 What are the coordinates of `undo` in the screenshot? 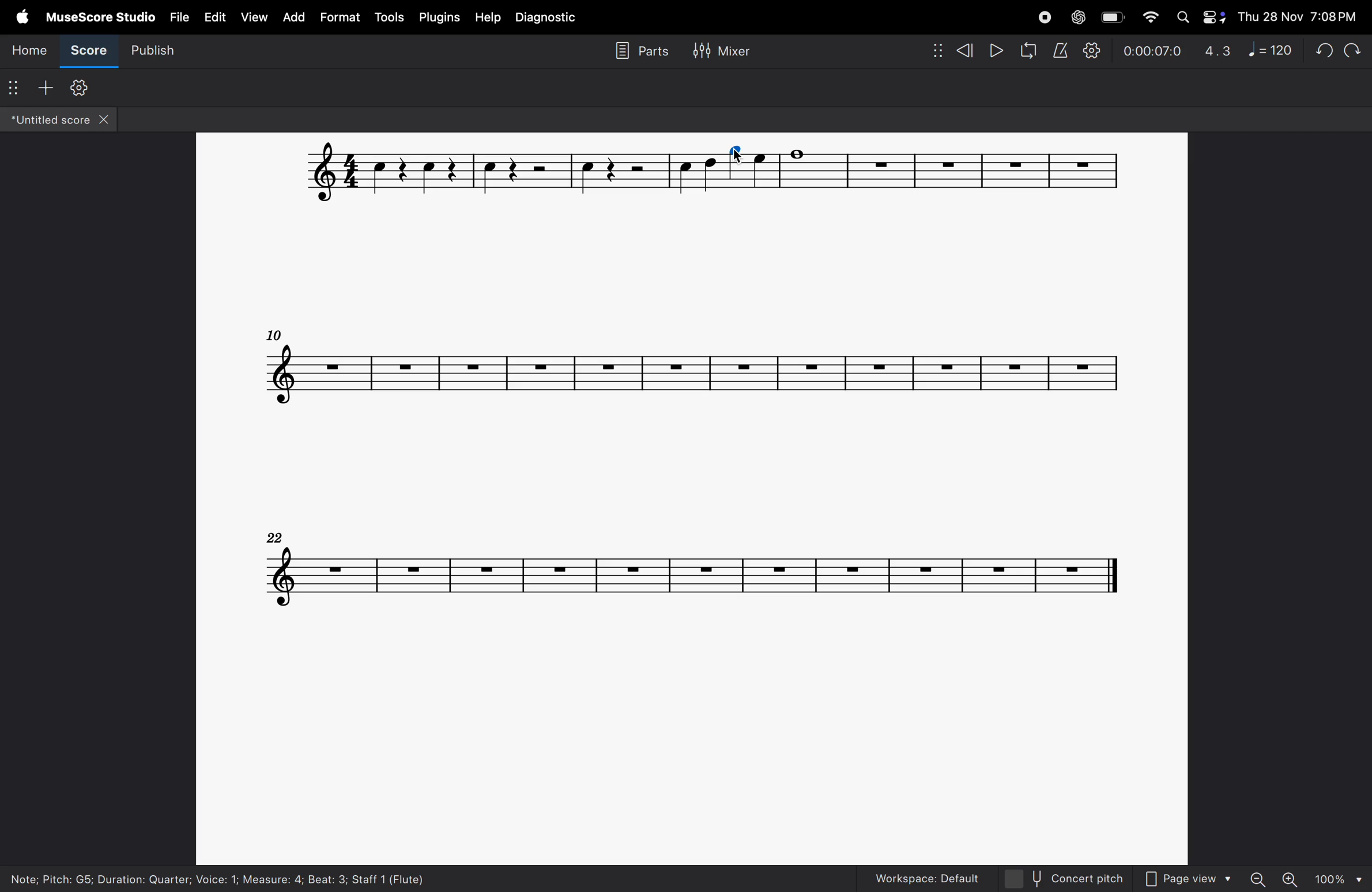 It's located at (1324, 51).